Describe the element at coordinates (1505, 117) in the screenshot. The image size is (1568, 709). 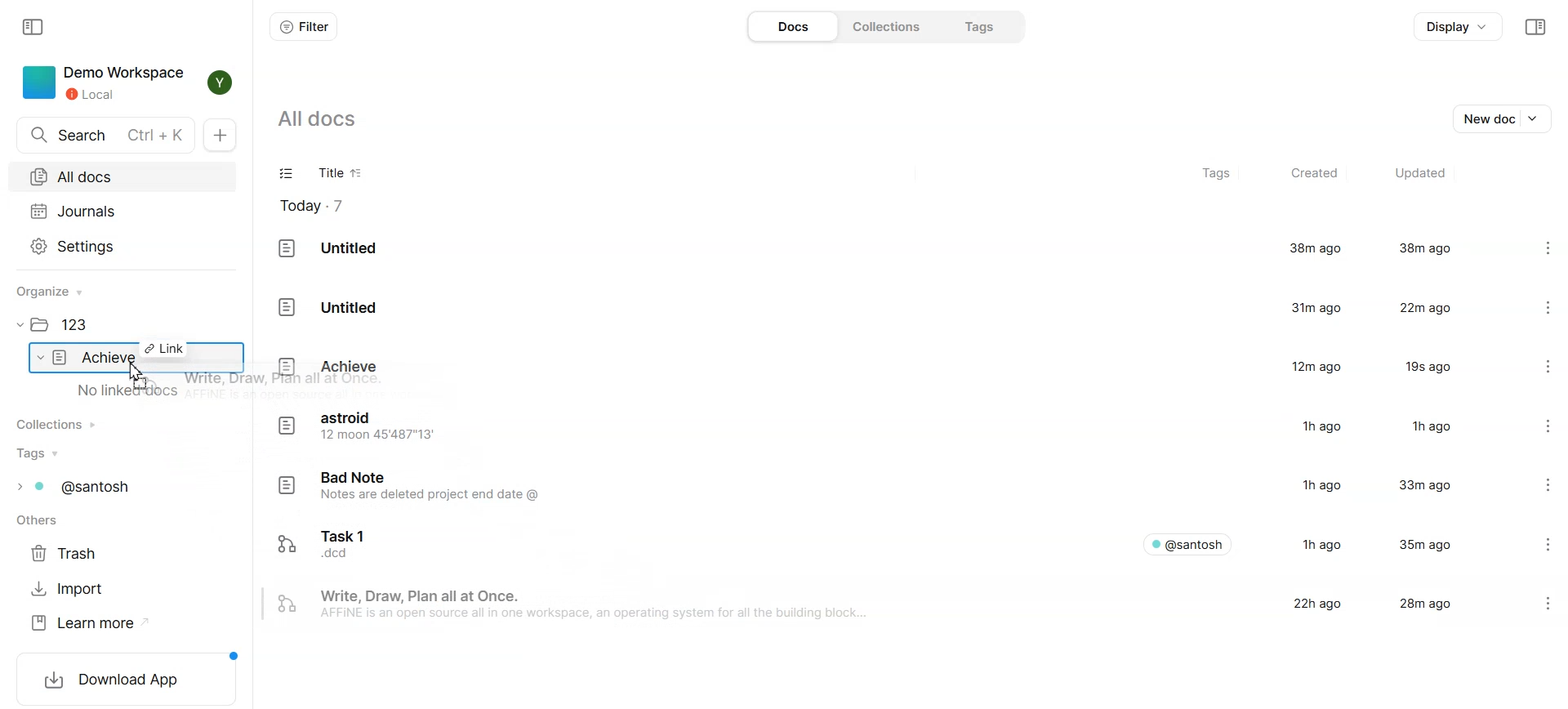
I see `New doc` at that location.